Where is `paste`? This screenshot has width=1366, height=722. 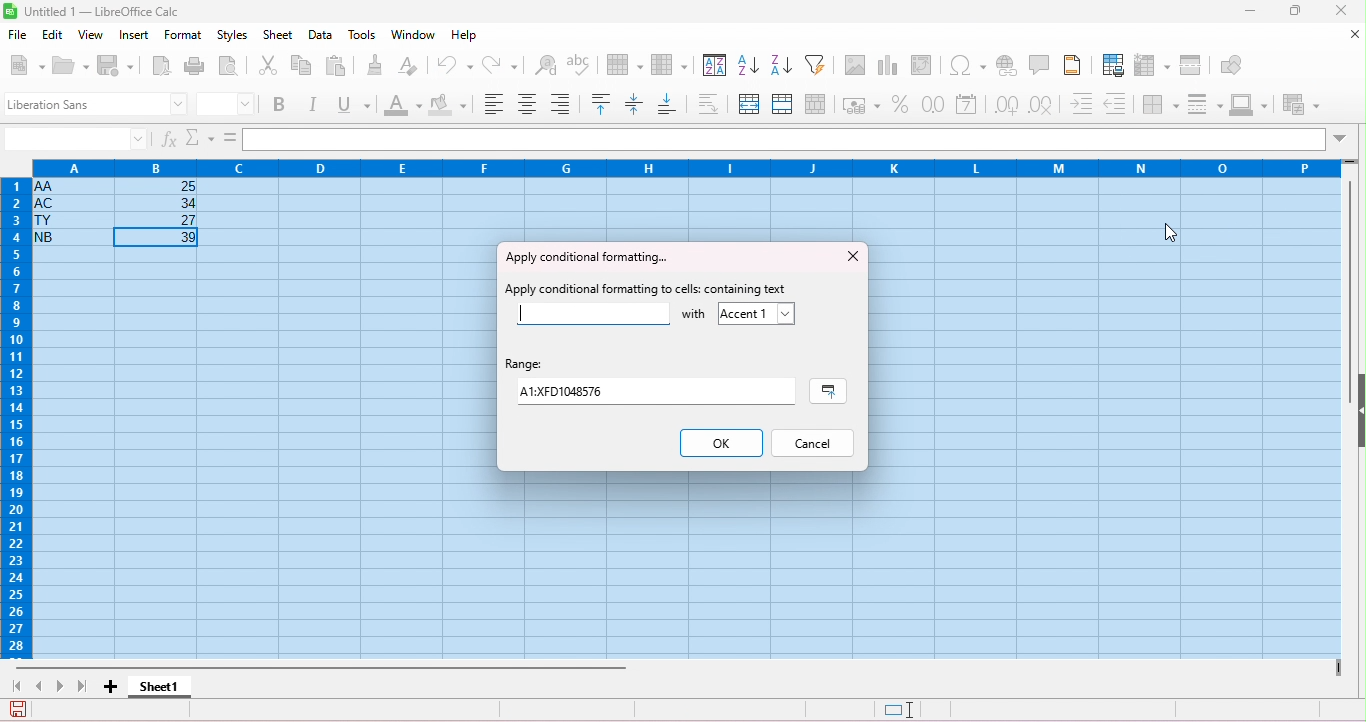
paste is located at coordinates (336, 65).